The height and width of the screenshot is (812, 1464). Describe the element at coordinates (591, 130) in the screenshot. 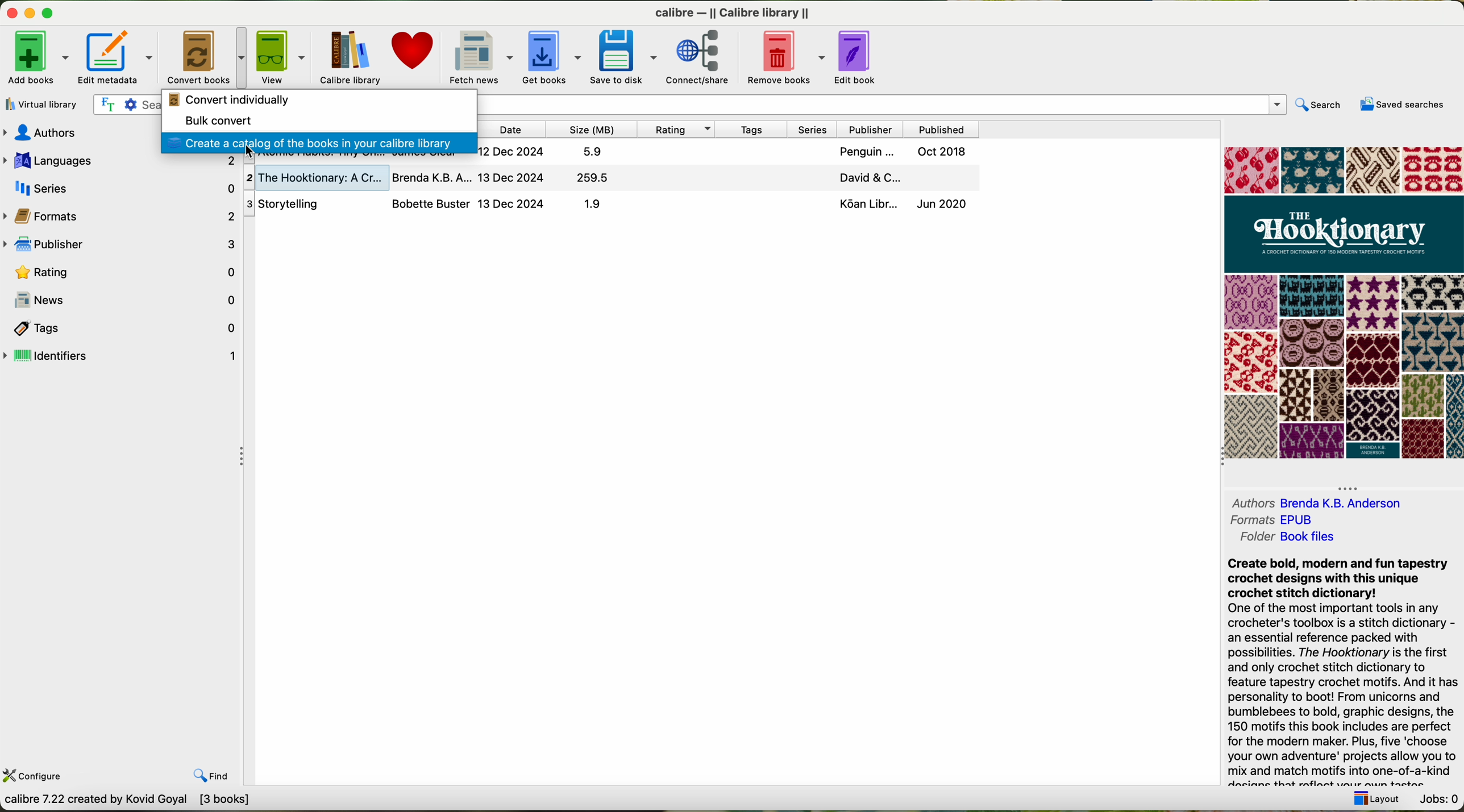

I see `size` at that location.